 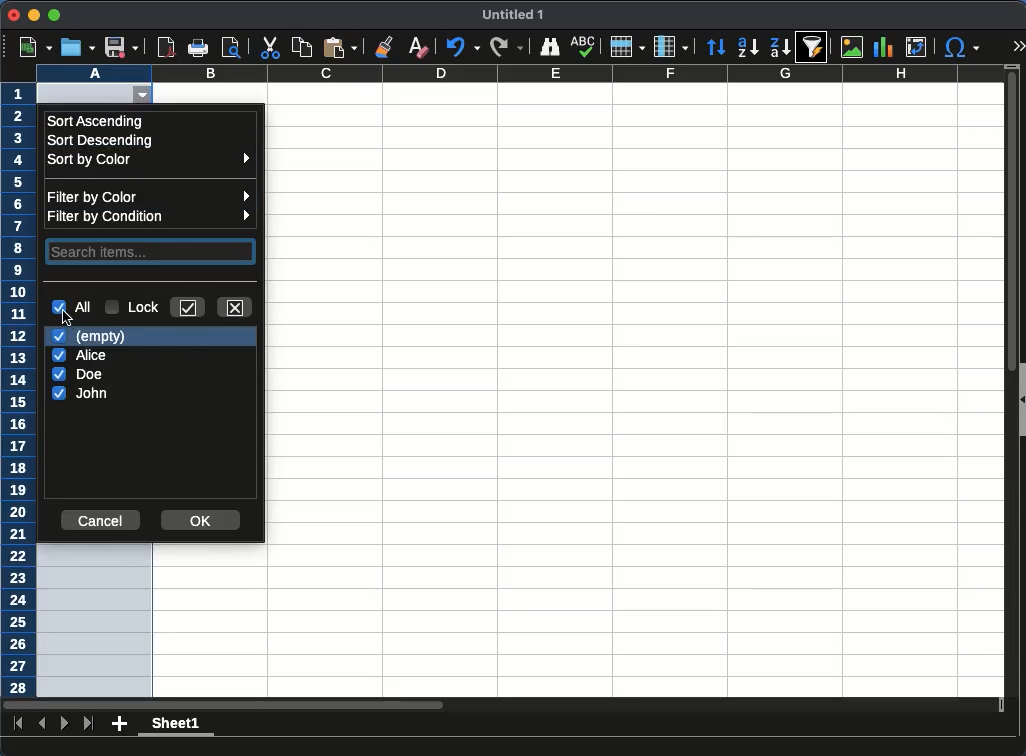 What do you see at coordinates (269, 47) in the screenshot?
I see `cut` at bounding box center [269, 47].